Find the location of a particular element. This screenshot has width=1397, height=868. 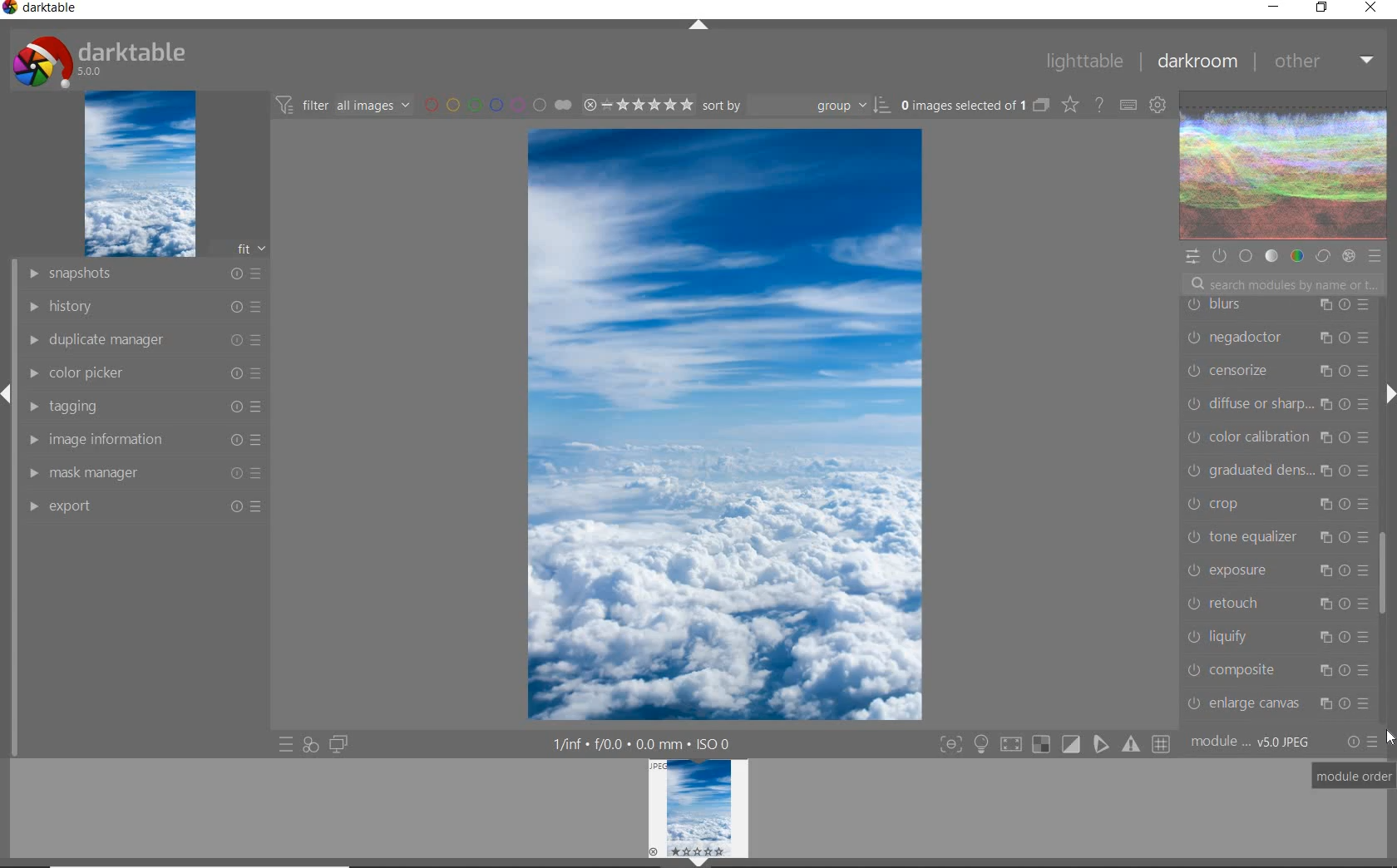

COLOR PICKER is located at coordinates (146, 374).